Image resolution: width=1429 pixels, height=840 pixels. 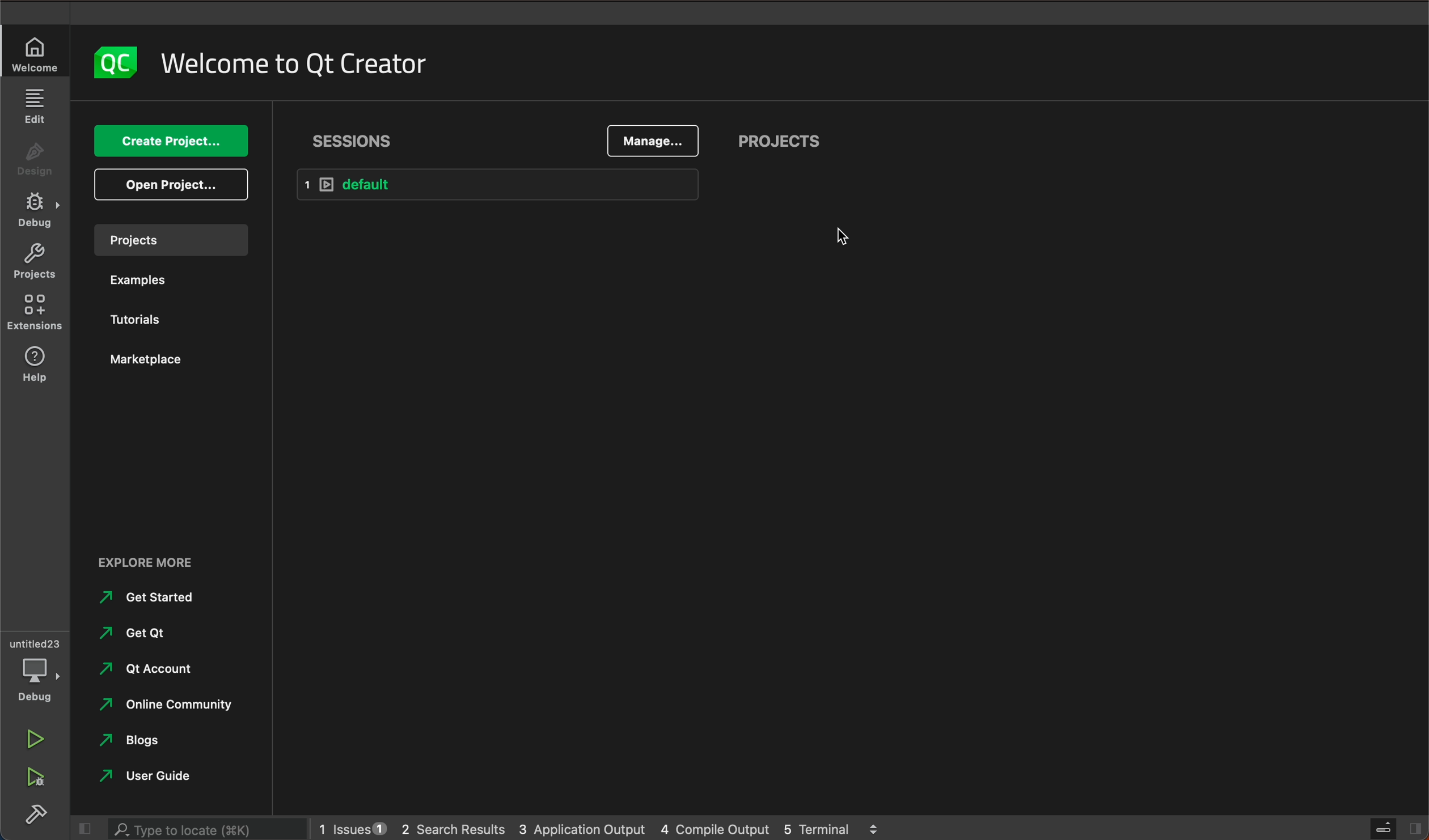 I want to click on projects, so click(x=175, y=241).